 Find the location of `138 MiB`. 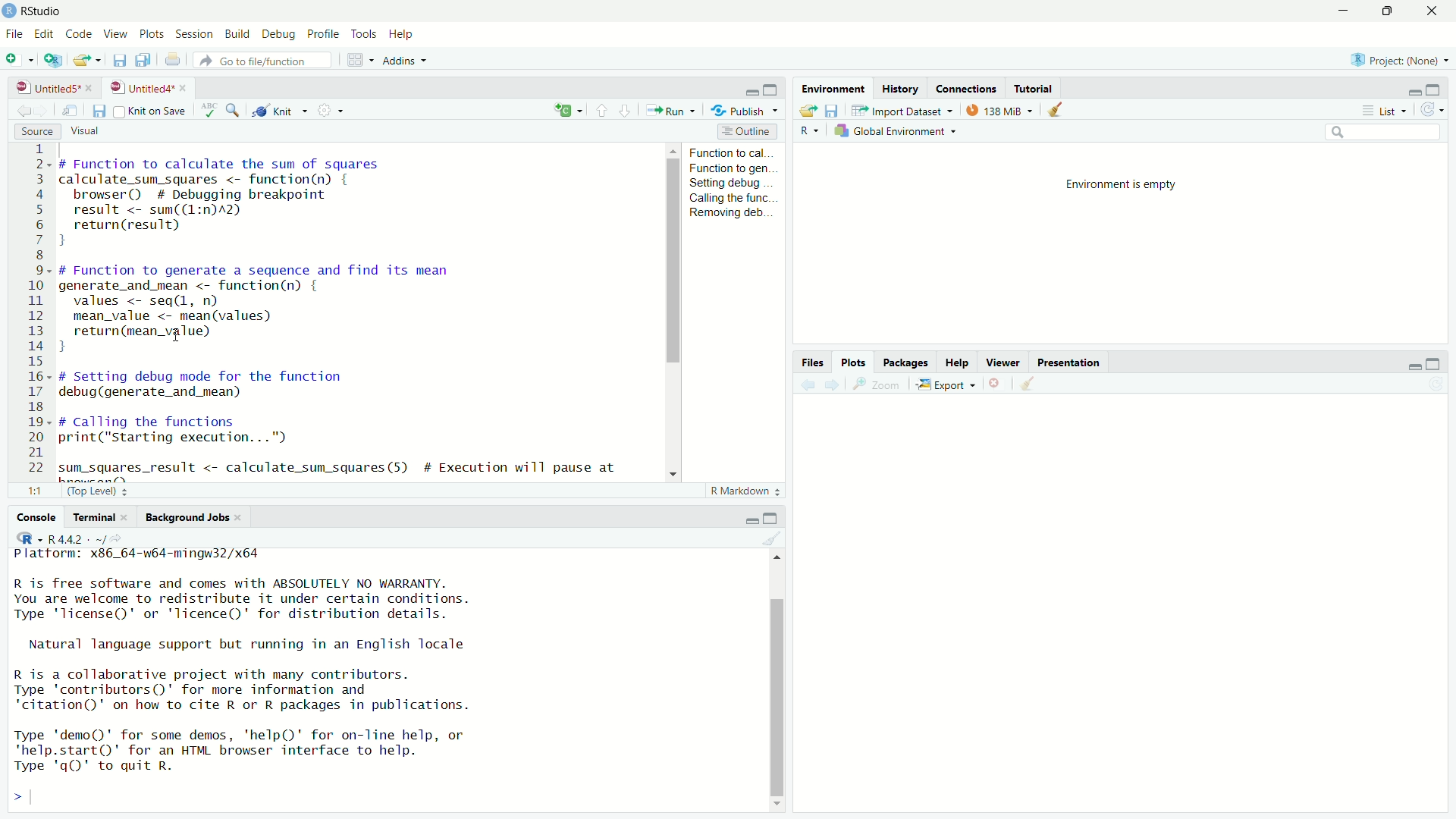

138 MiB is located at coordinates (1003, 112).